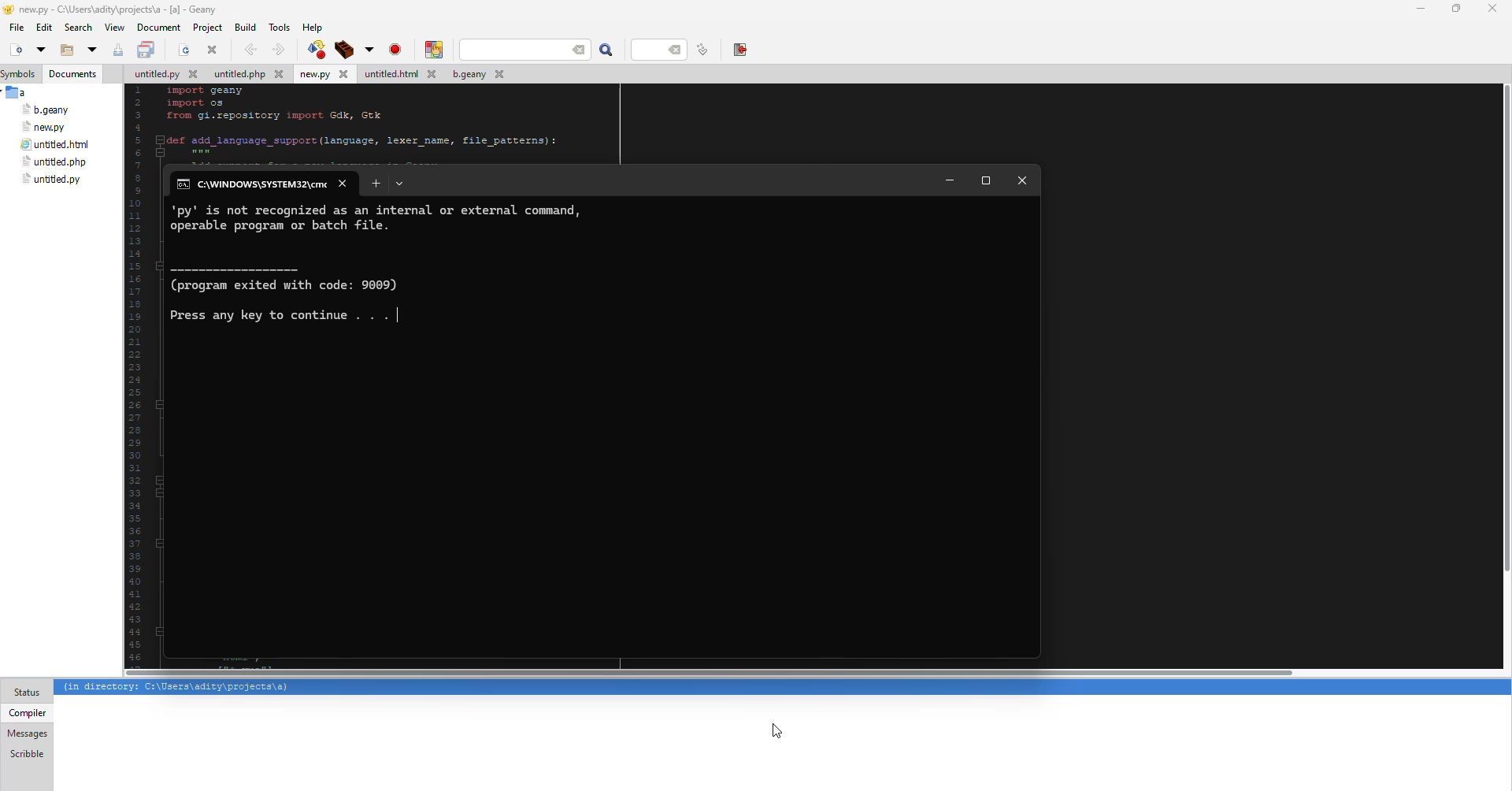  What do you see at coordinates (1492, 8) in the screenshot?
I see `close` at bounding box center [1492, 8].